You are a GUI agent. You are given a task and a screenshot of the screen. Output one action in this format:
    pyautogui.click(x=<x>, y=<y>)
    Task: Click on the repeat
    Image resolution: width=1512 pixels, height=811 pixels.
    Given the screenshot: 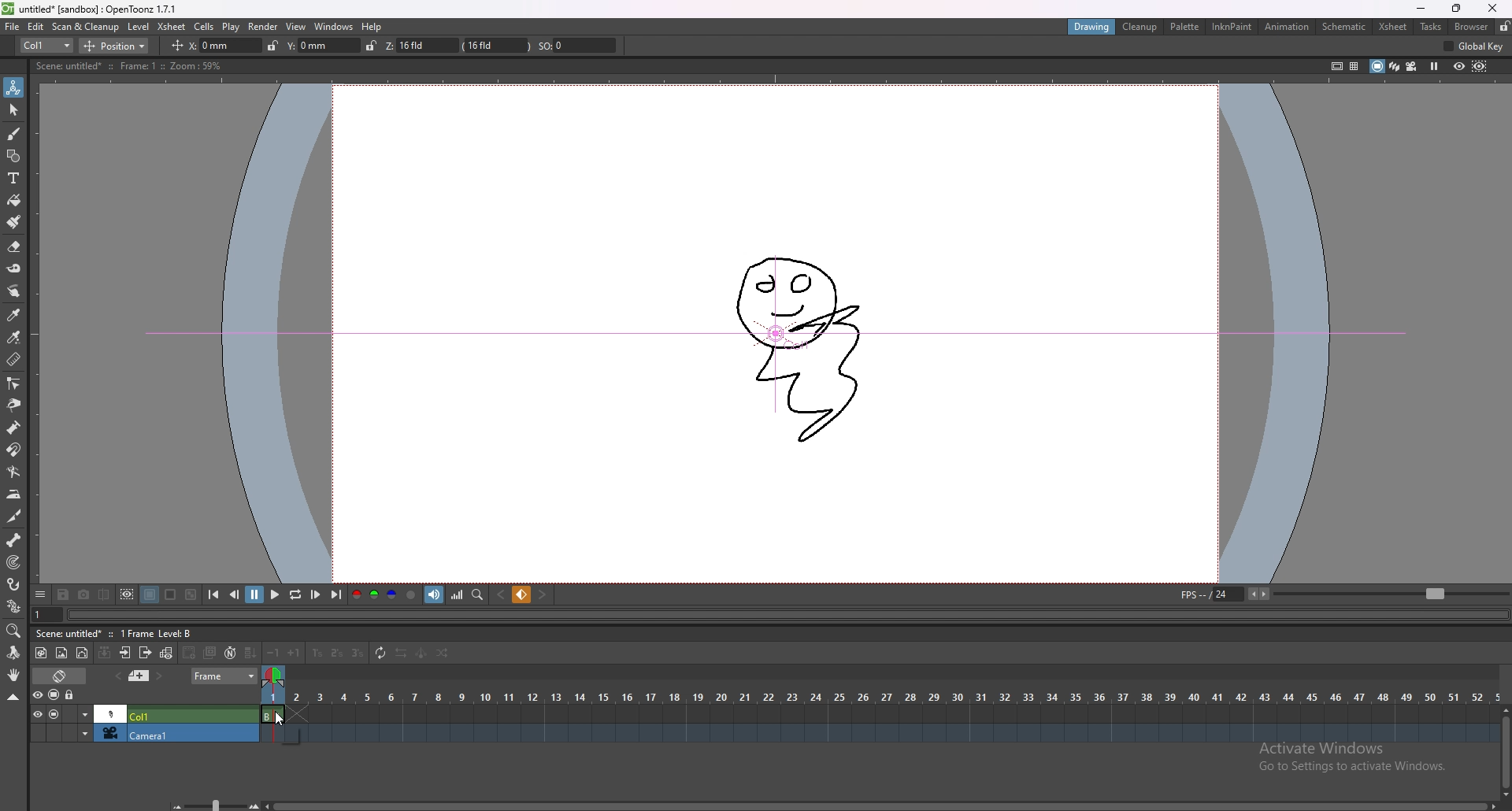 What is the action you would take?
    pyautogui.click(x=379, y=654)
    